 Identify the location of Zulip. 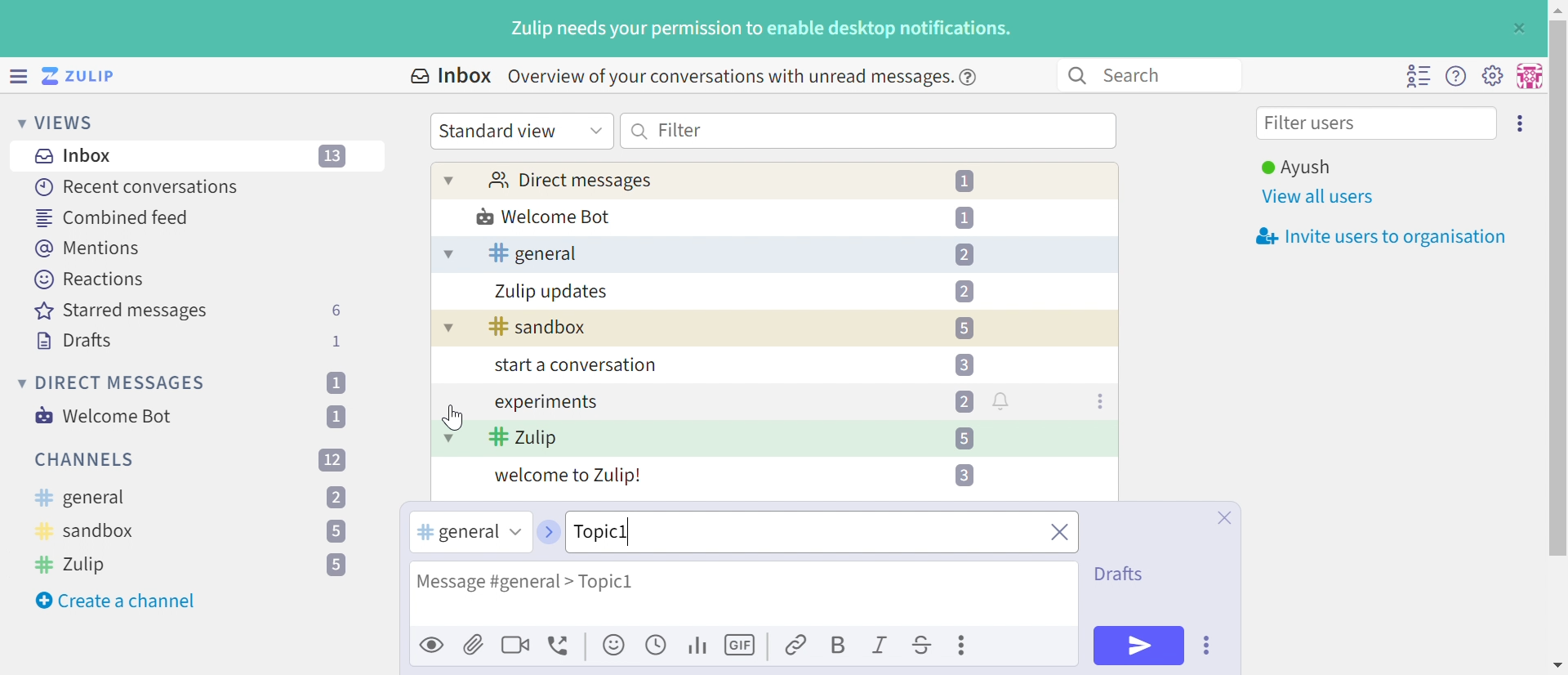
(523, 439).